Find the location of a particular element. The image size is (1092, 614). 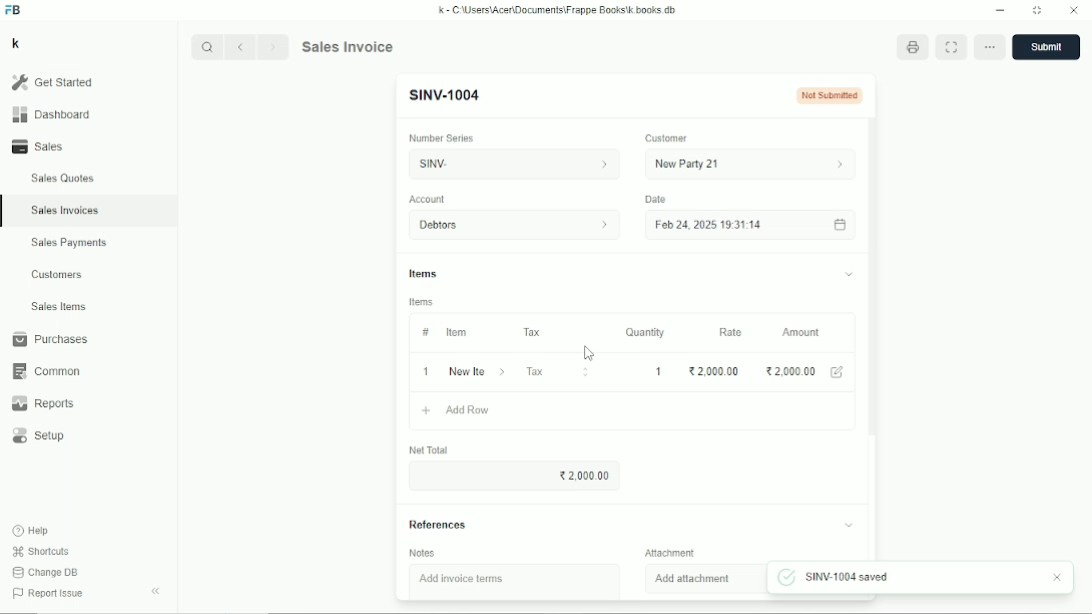

Open print view is located at coordinates (914, 46).